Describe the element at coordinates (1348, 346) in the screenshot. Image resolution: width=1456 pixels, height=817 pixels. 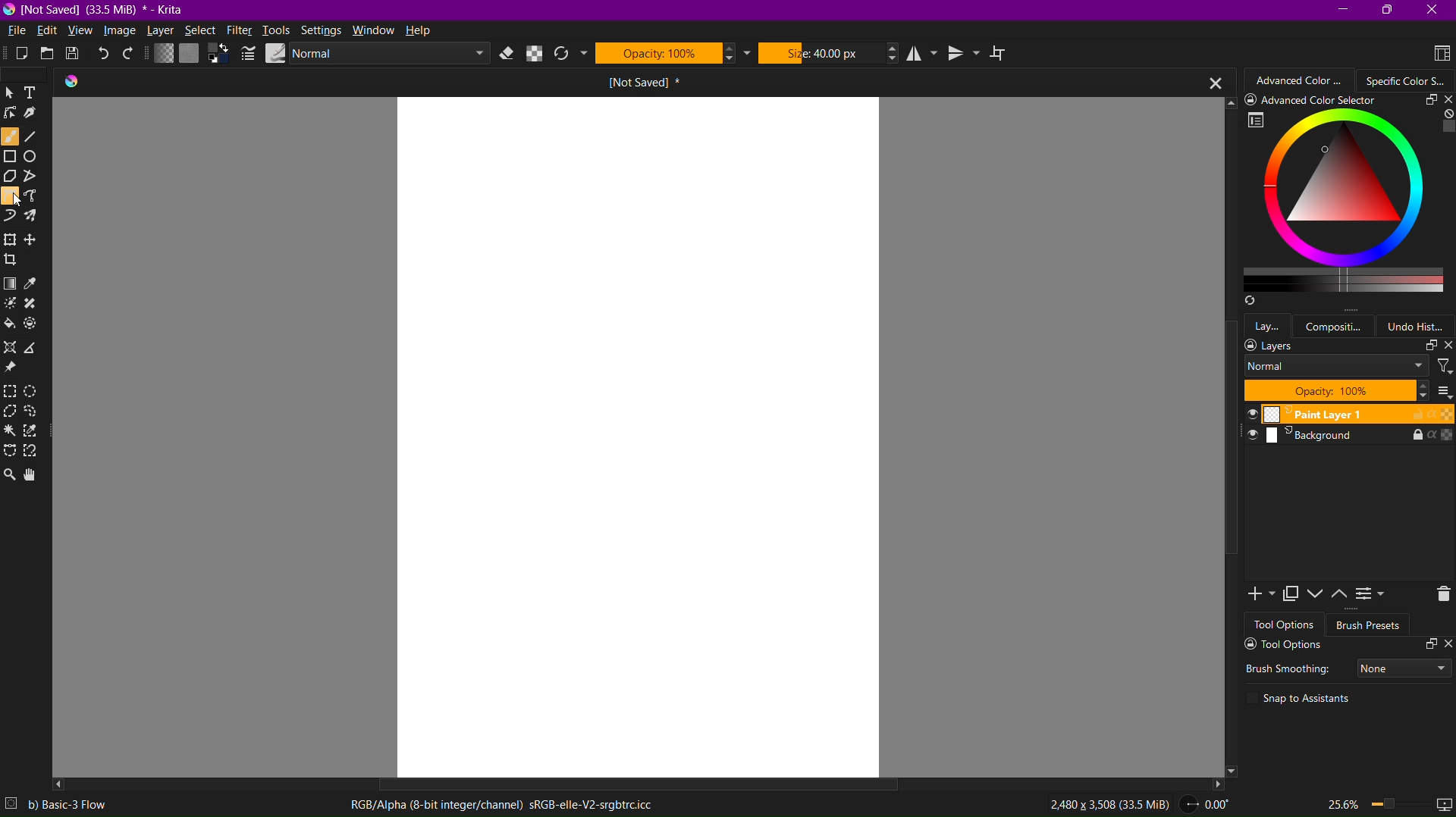
I see `Layers` at that location.